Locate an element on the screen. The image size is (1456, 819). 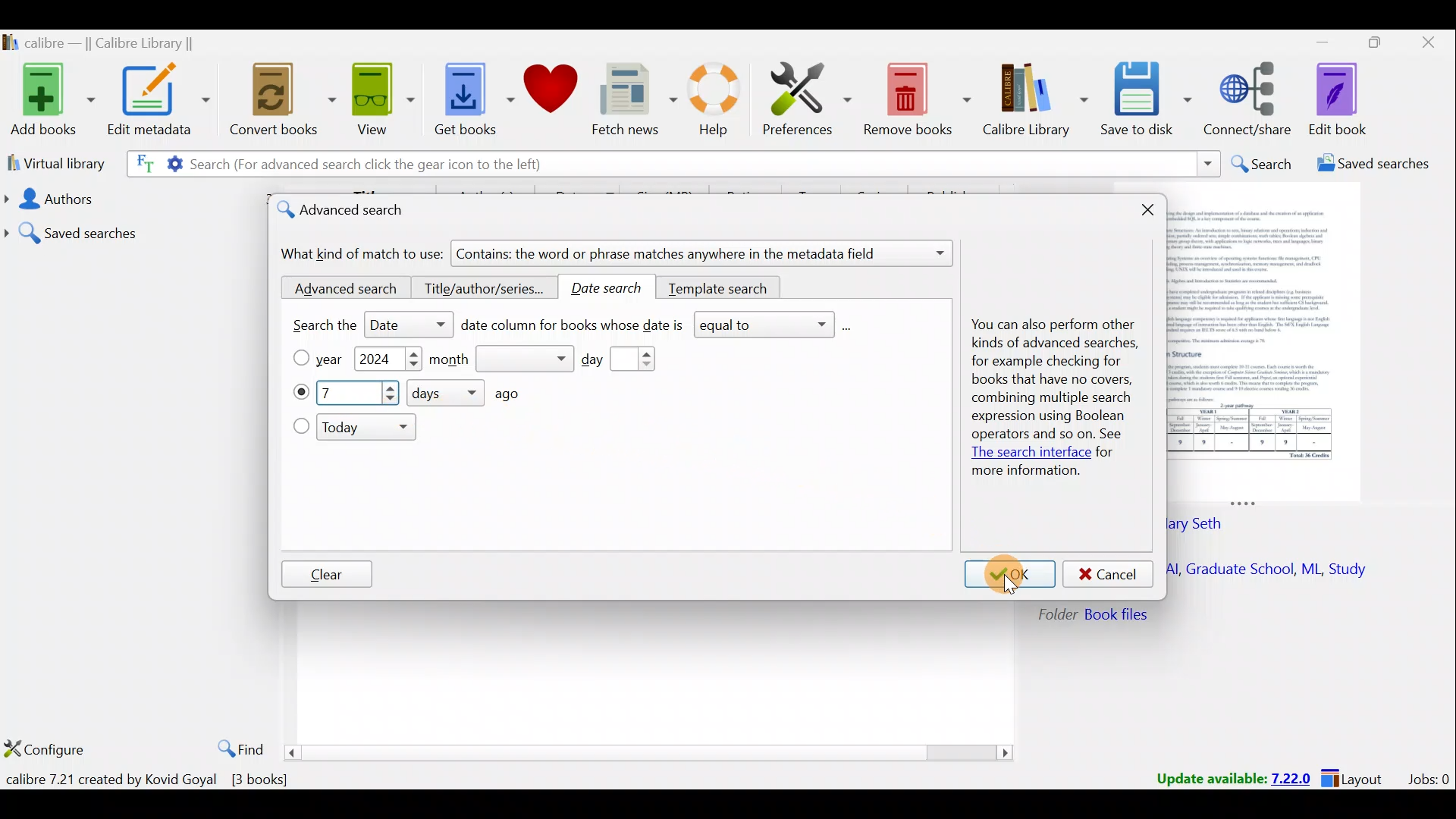
Find is located at coordinates (237, 746).